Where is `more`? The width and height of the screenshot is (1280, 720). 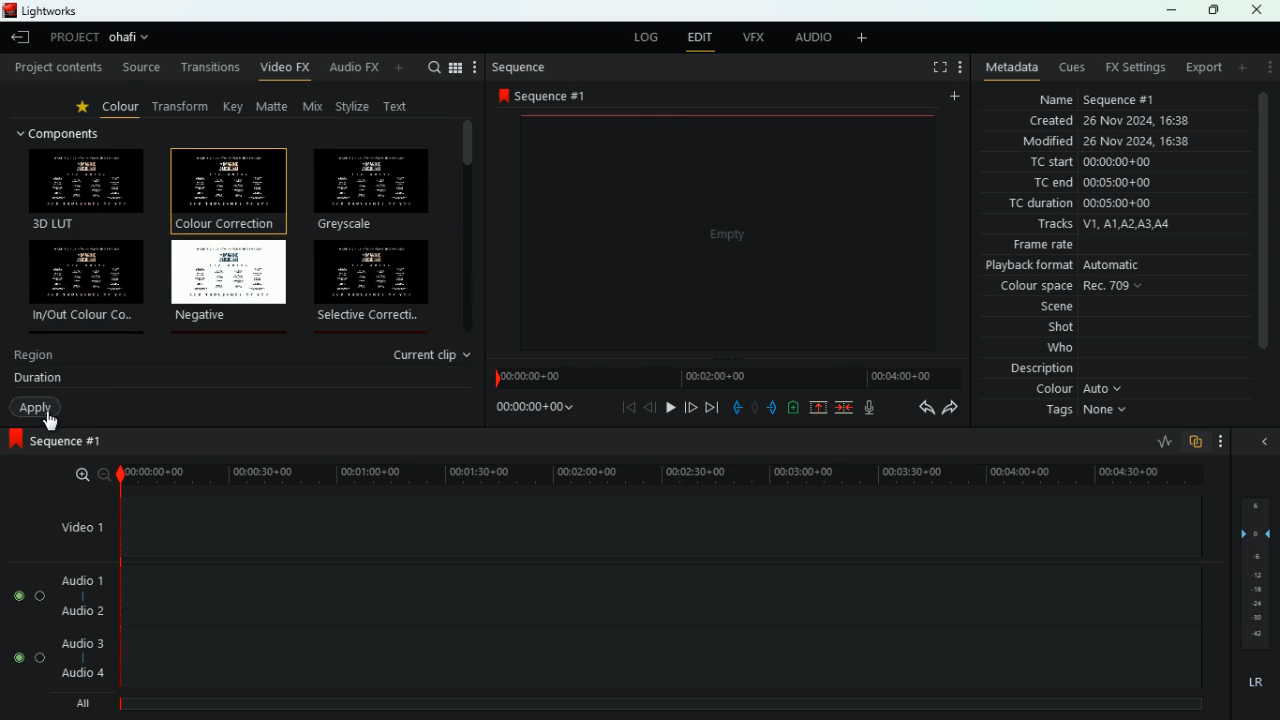
more is located at coordinates (1268, 70).